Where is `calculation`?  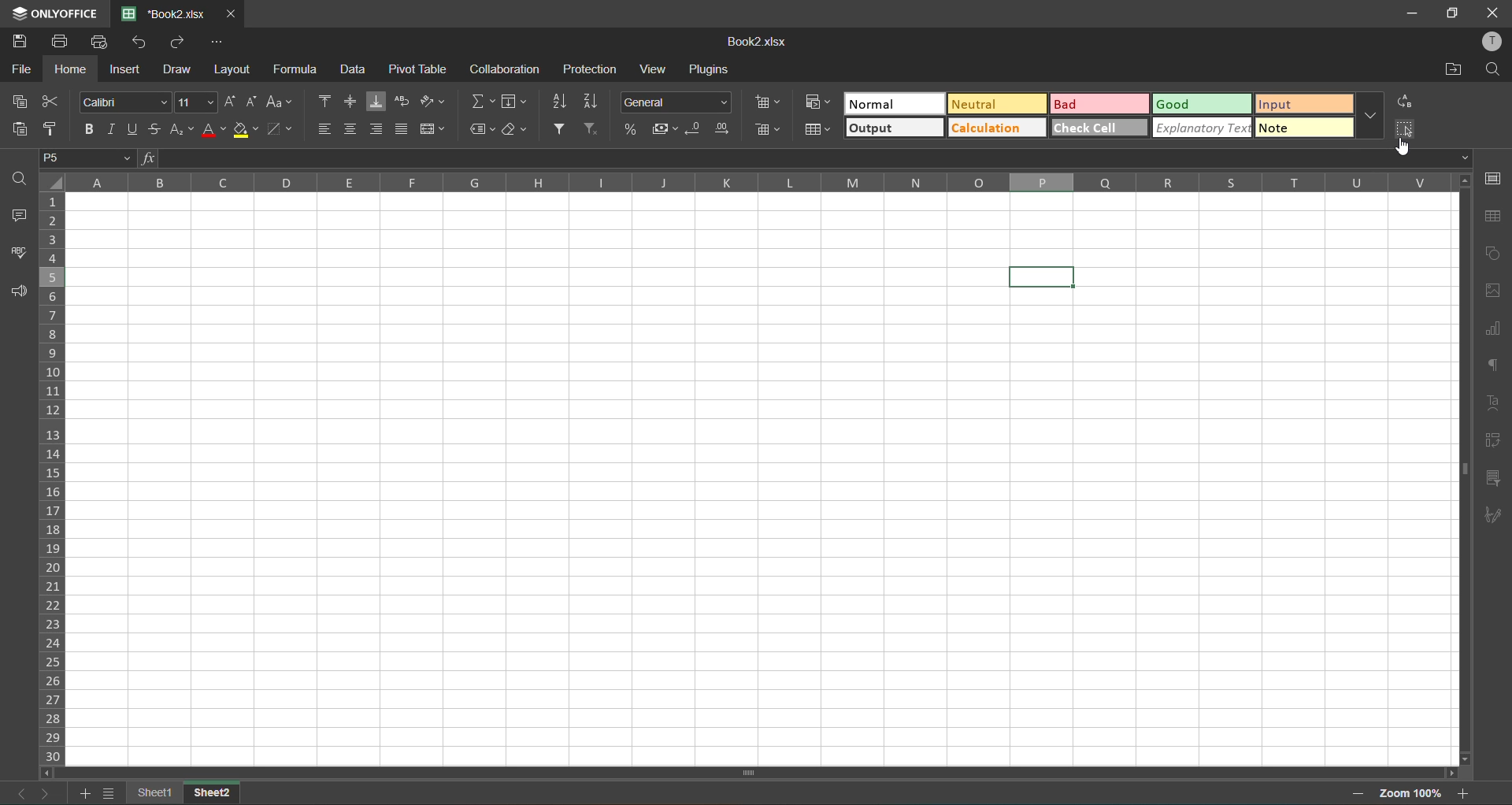
calculation is located at coordinates (996, 129).